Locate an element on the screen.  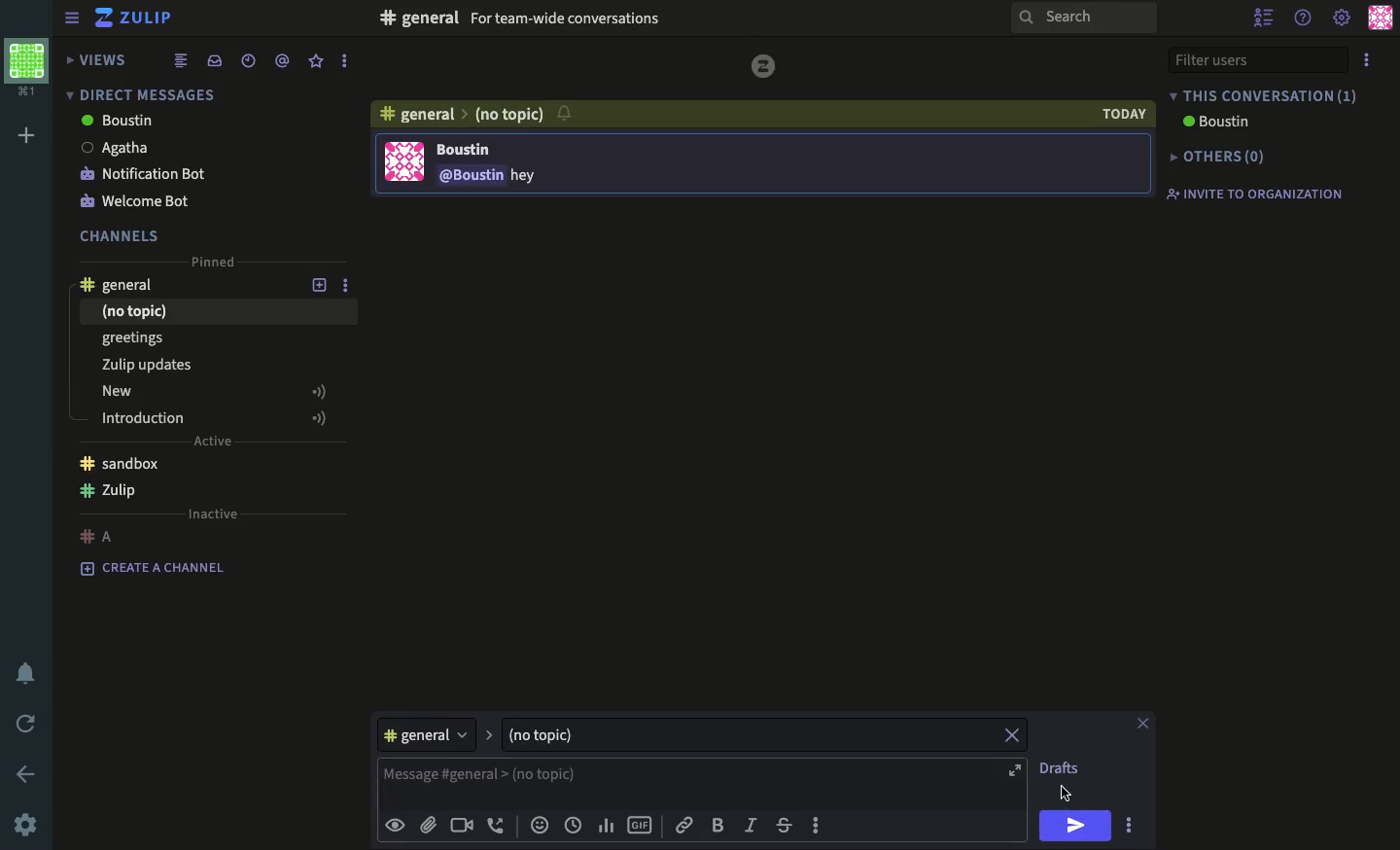
message general is located at coordinates (709, 782).